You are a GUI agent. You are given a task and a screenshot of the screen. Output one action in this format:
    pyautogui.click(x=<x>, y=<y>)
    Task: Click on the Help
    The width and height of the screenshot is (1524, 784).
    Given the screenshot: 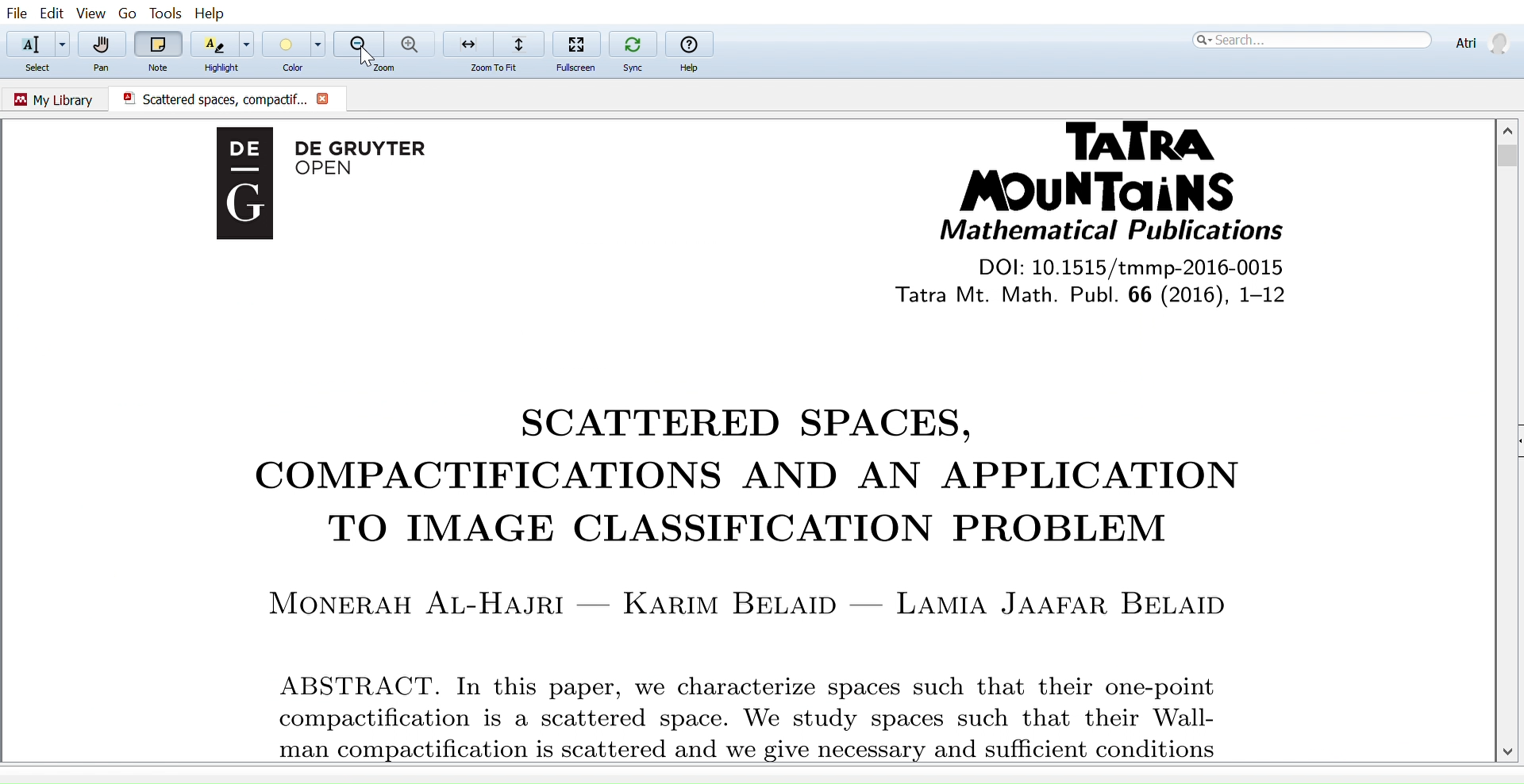 What is the action you would take?
    pyautogui.click(x=214, y=13)
    